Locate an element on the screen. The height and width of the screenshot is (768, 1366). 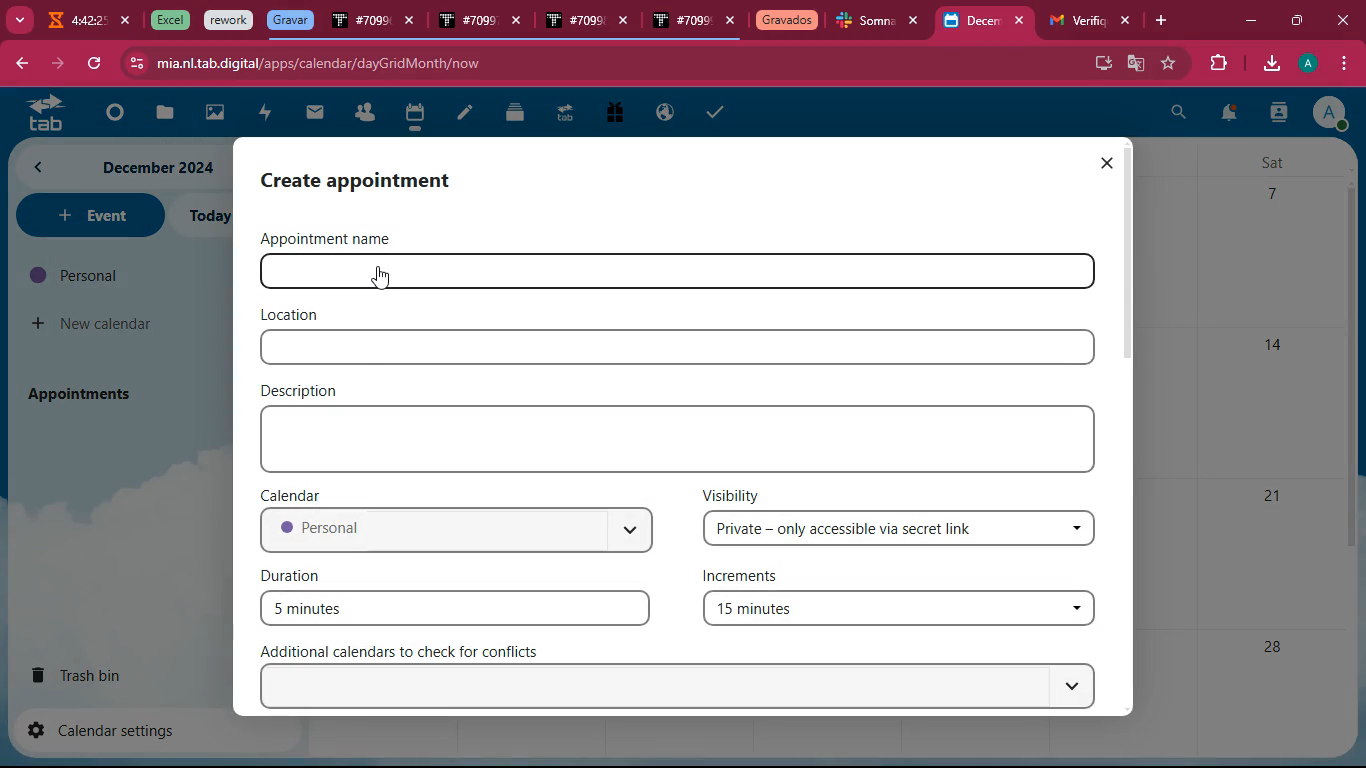
tab is located at coordinates (573, 22).